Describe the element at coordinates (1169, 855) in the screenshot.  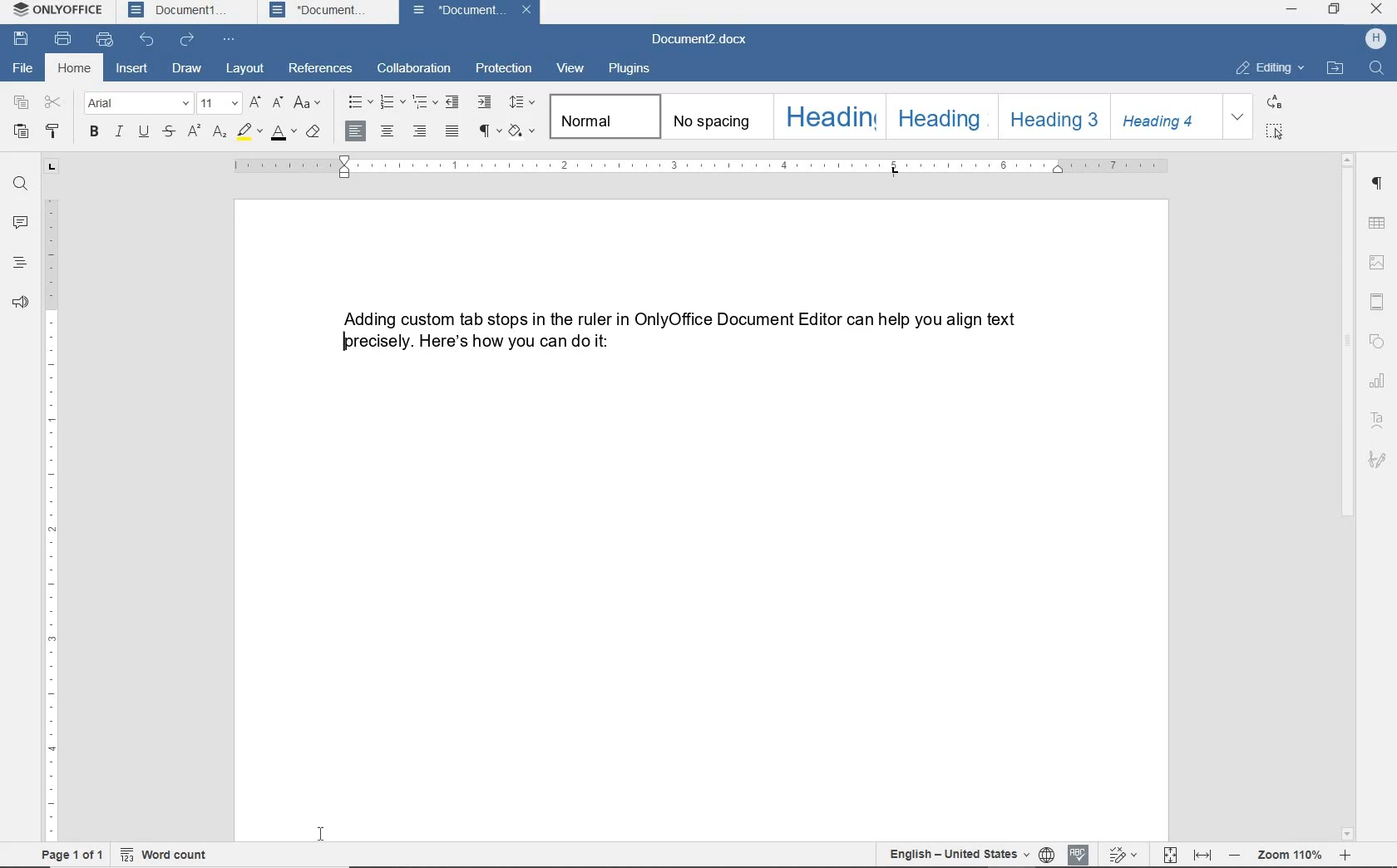
I see `fit to page` at that location.